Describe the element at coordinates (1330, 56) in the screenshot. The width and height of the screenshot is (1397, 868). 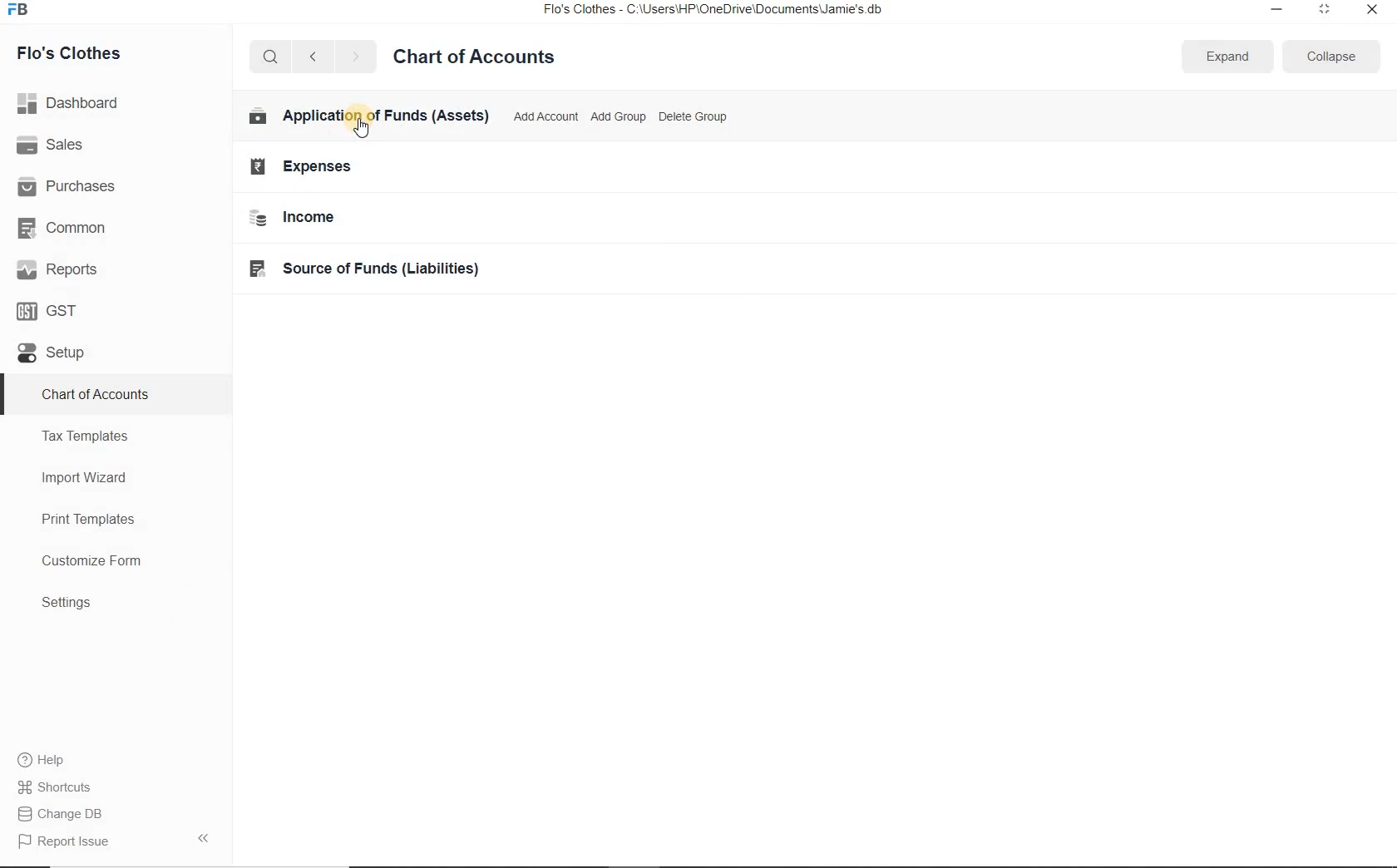
I see `Collapse` at that location.